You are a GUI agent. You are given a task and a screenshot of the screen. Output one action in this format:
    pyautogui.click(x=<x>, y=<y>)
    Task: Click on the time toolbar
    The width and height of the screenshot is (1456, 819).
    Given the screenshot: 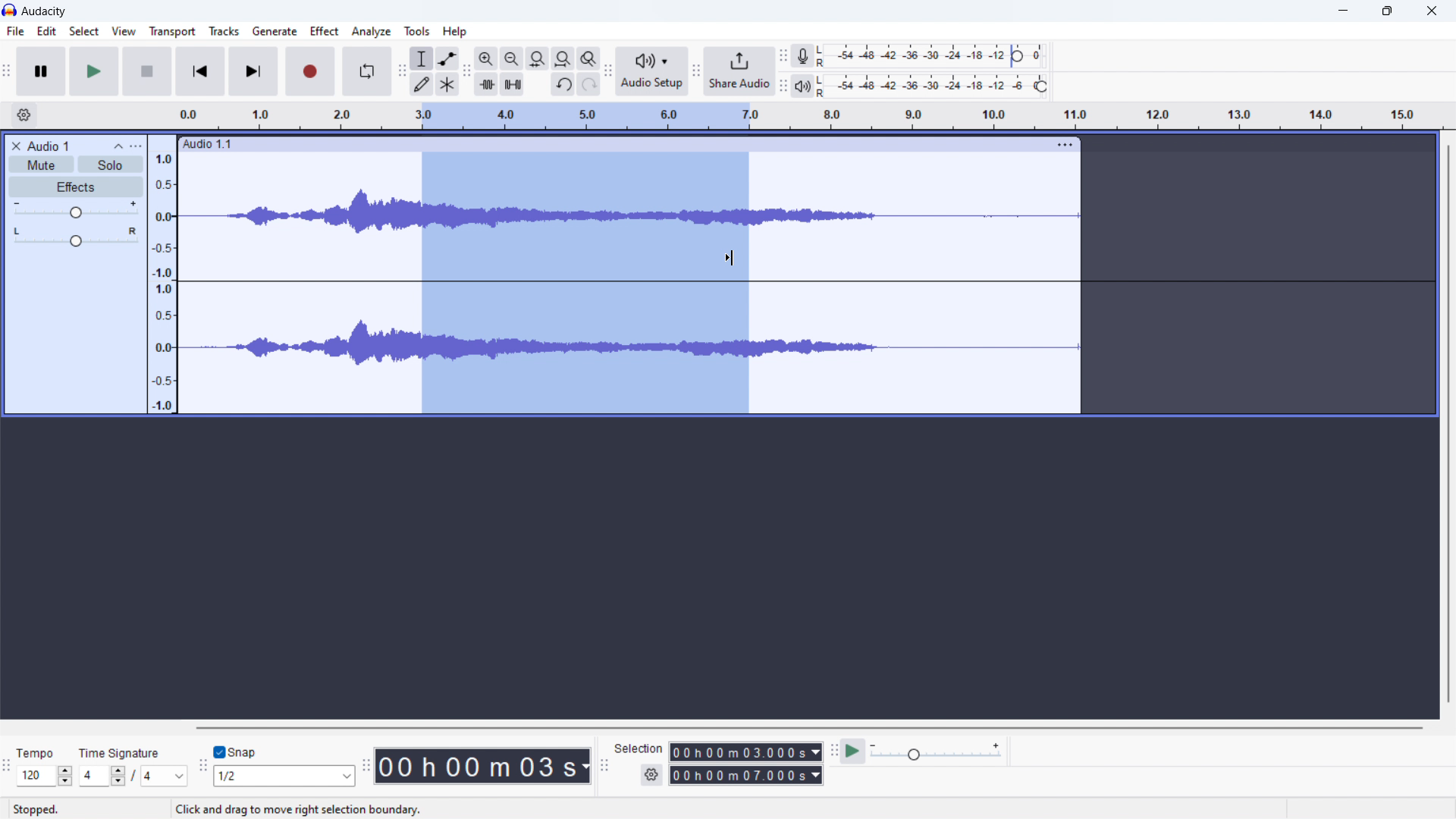 What is the action you would take?
    pyautogui.click(x=366, y=770)
    